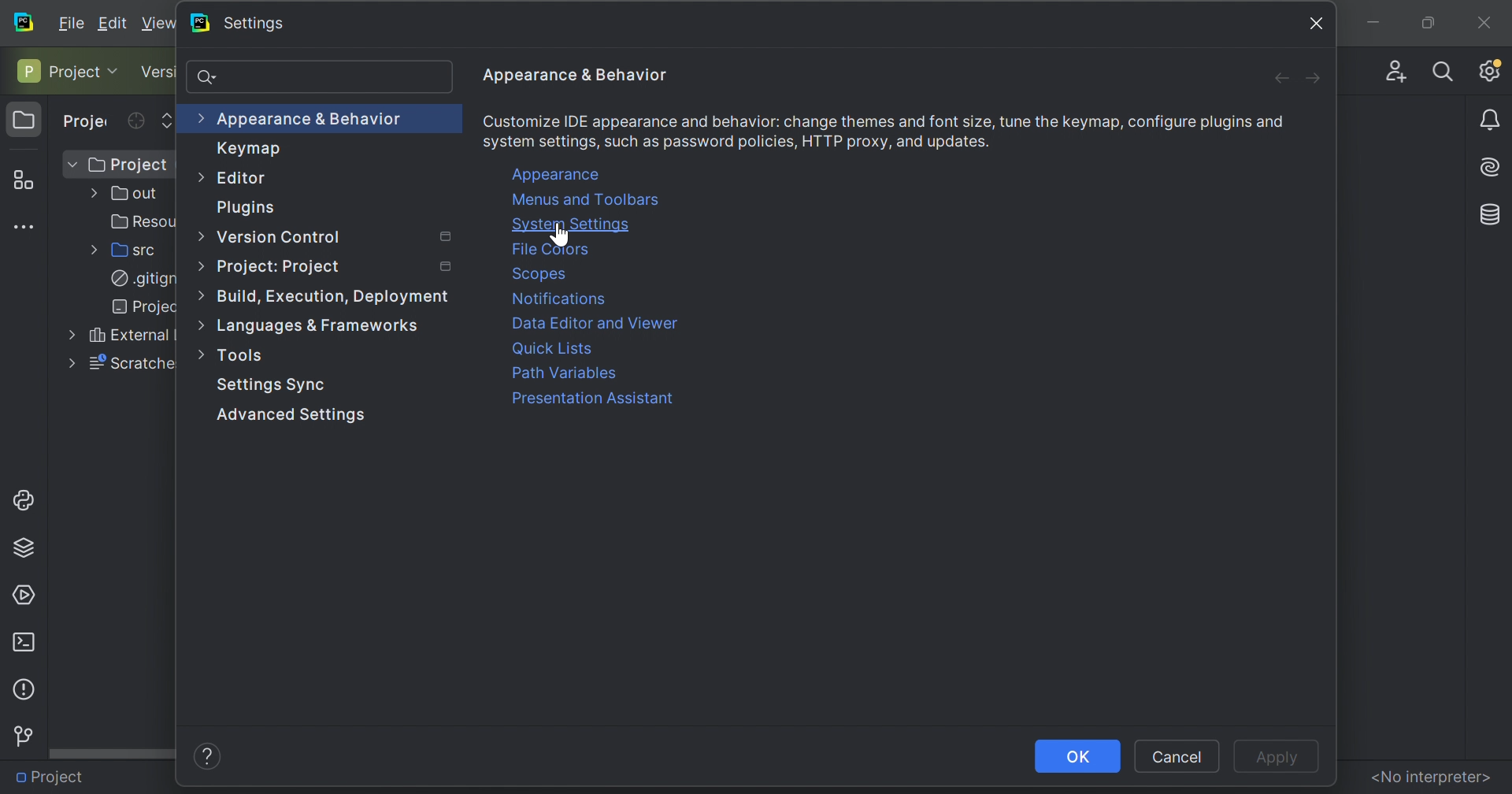 The image size is (1512, 794). What do you see at coordinates (280, 238) in the screenshot?
I see `Version control` at bounding box center [280, 238].